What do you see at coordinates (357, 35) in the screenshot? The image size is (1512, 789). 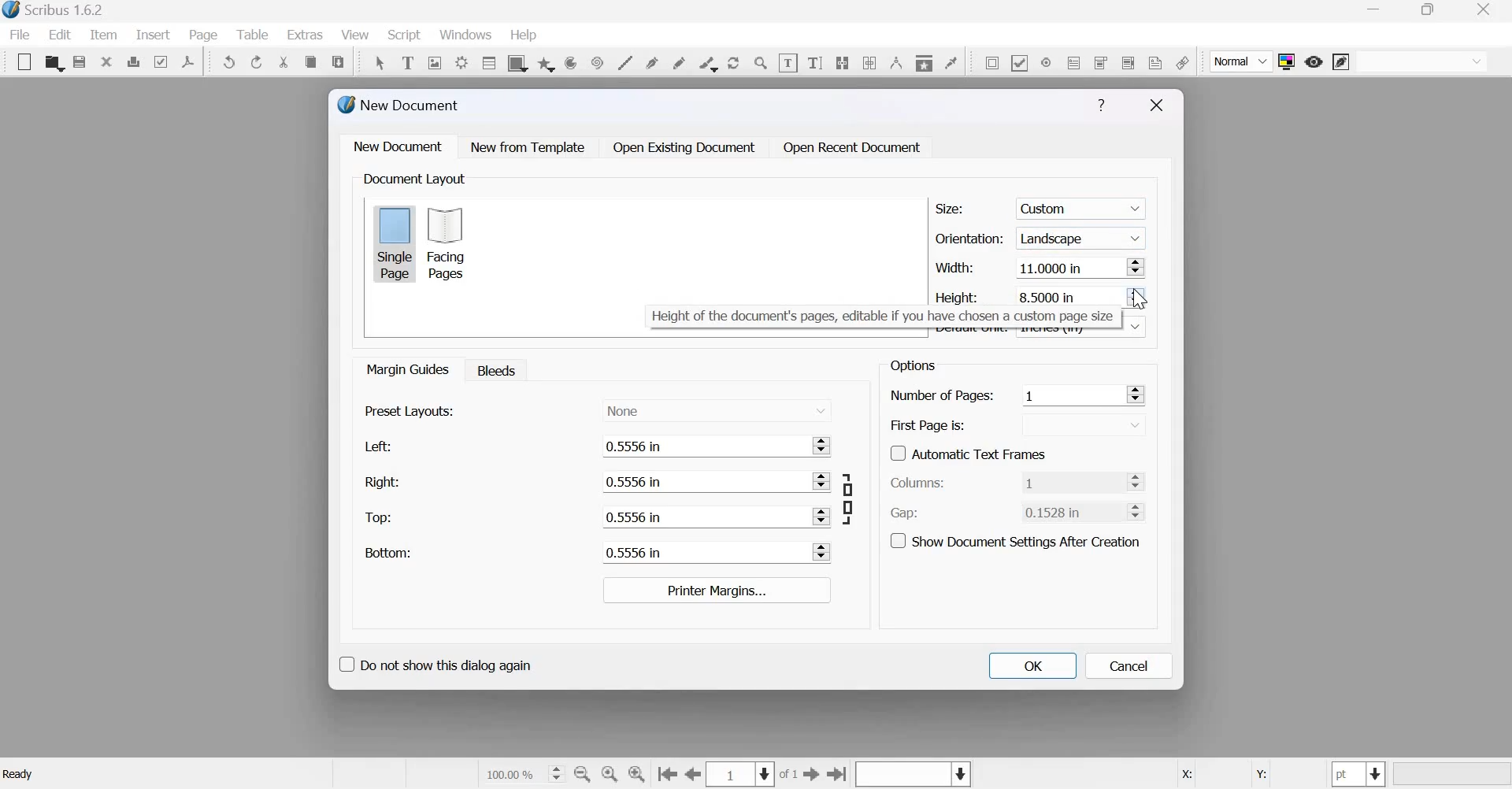 I see `View` at bounding box center [357, 35].